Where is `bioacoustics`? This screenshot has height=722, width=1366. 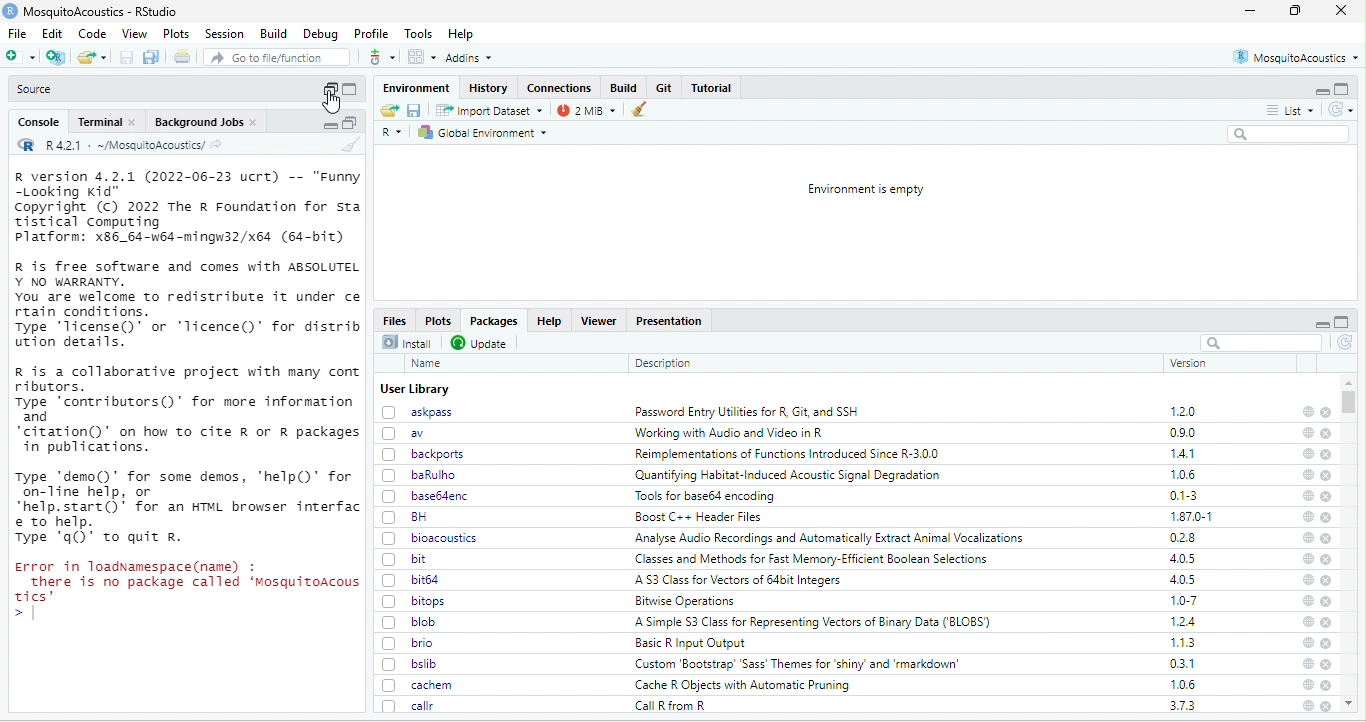 bioacoustics is located at coordinates (430, 537).